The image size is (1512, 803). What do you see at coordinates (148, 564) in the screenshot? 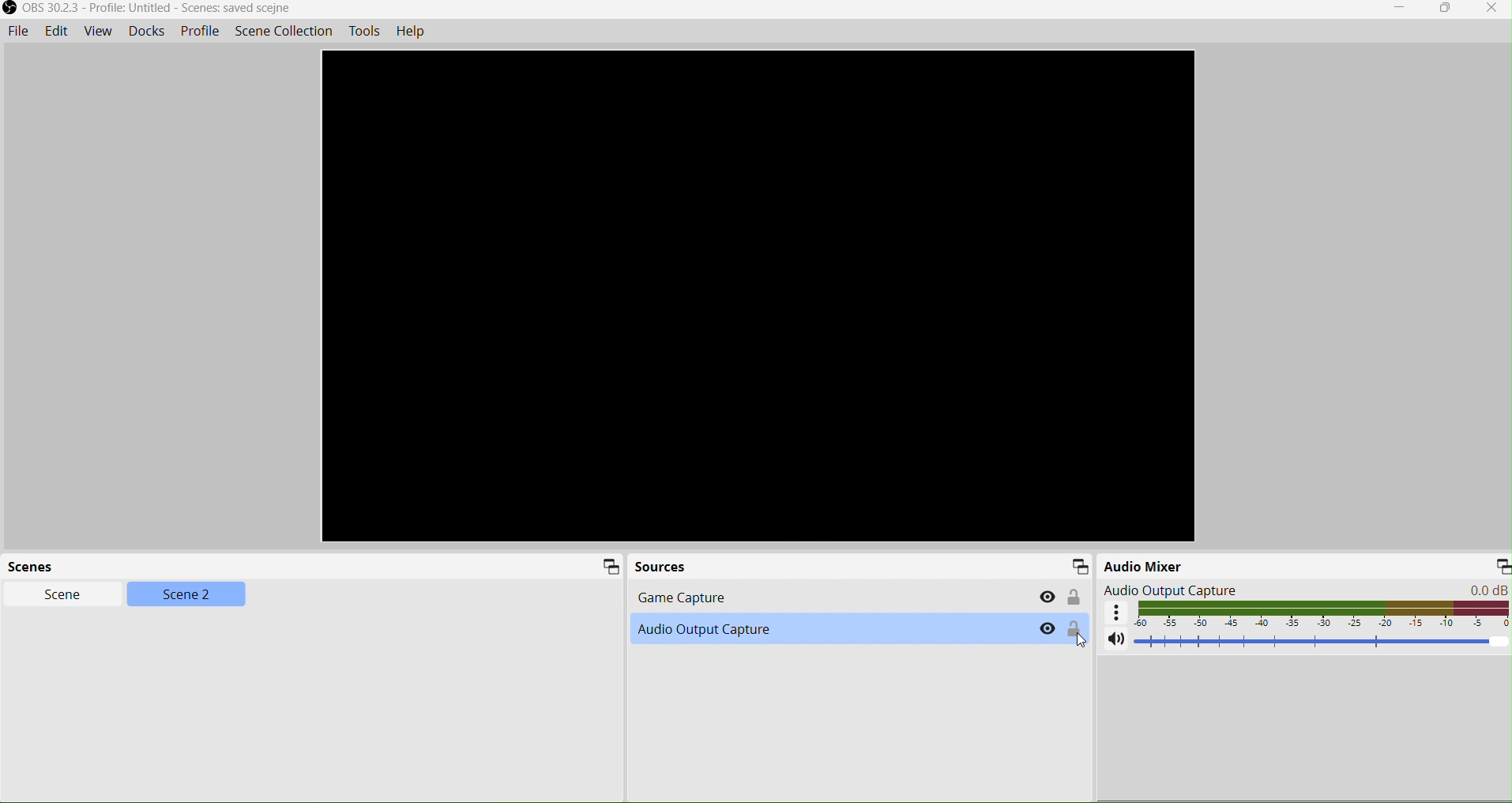
I see `Scenes` at bounding box center [148, 564].